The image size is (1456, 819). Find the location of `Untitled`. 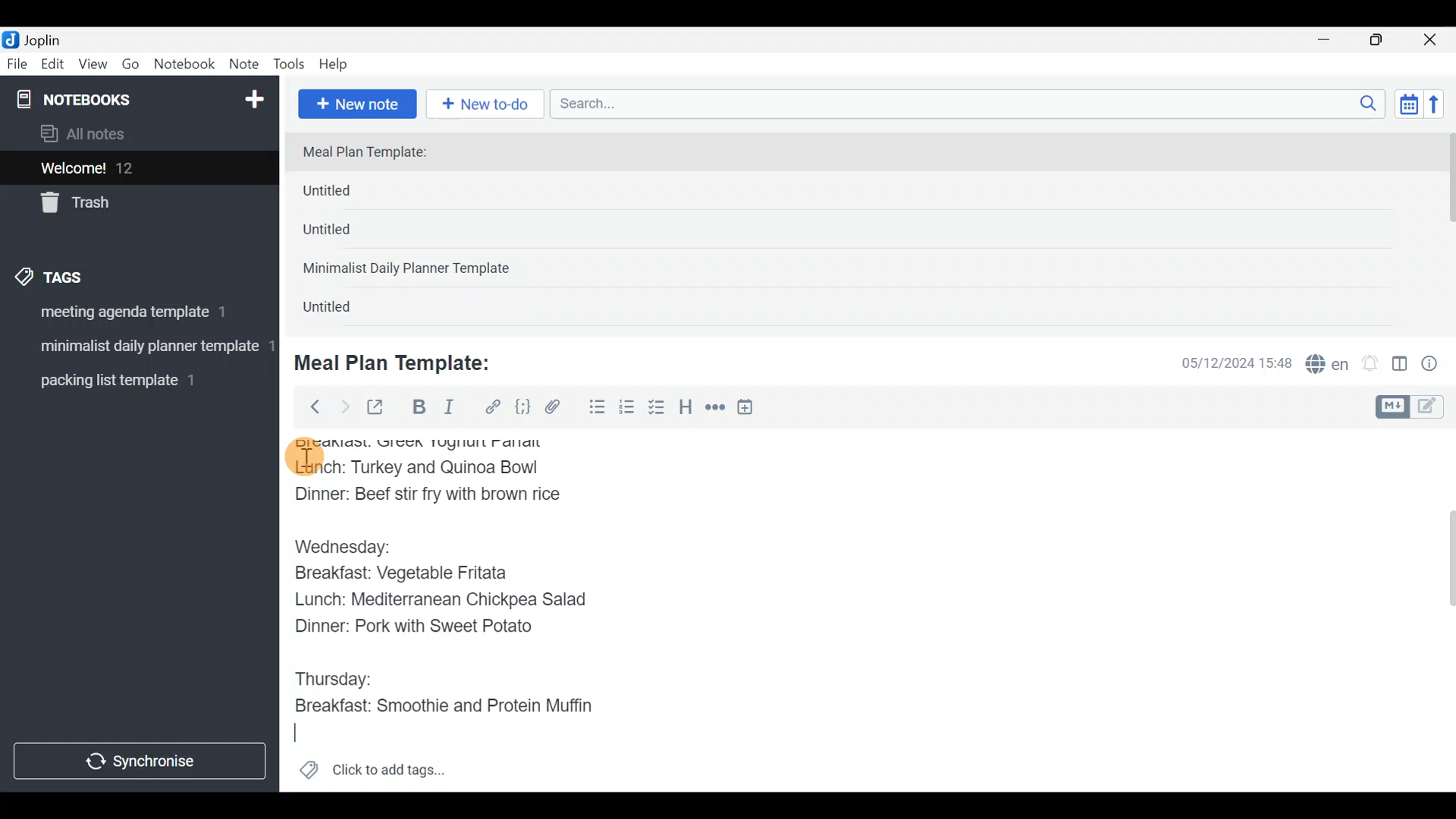

Untitled is located at coordinates (344, 310).